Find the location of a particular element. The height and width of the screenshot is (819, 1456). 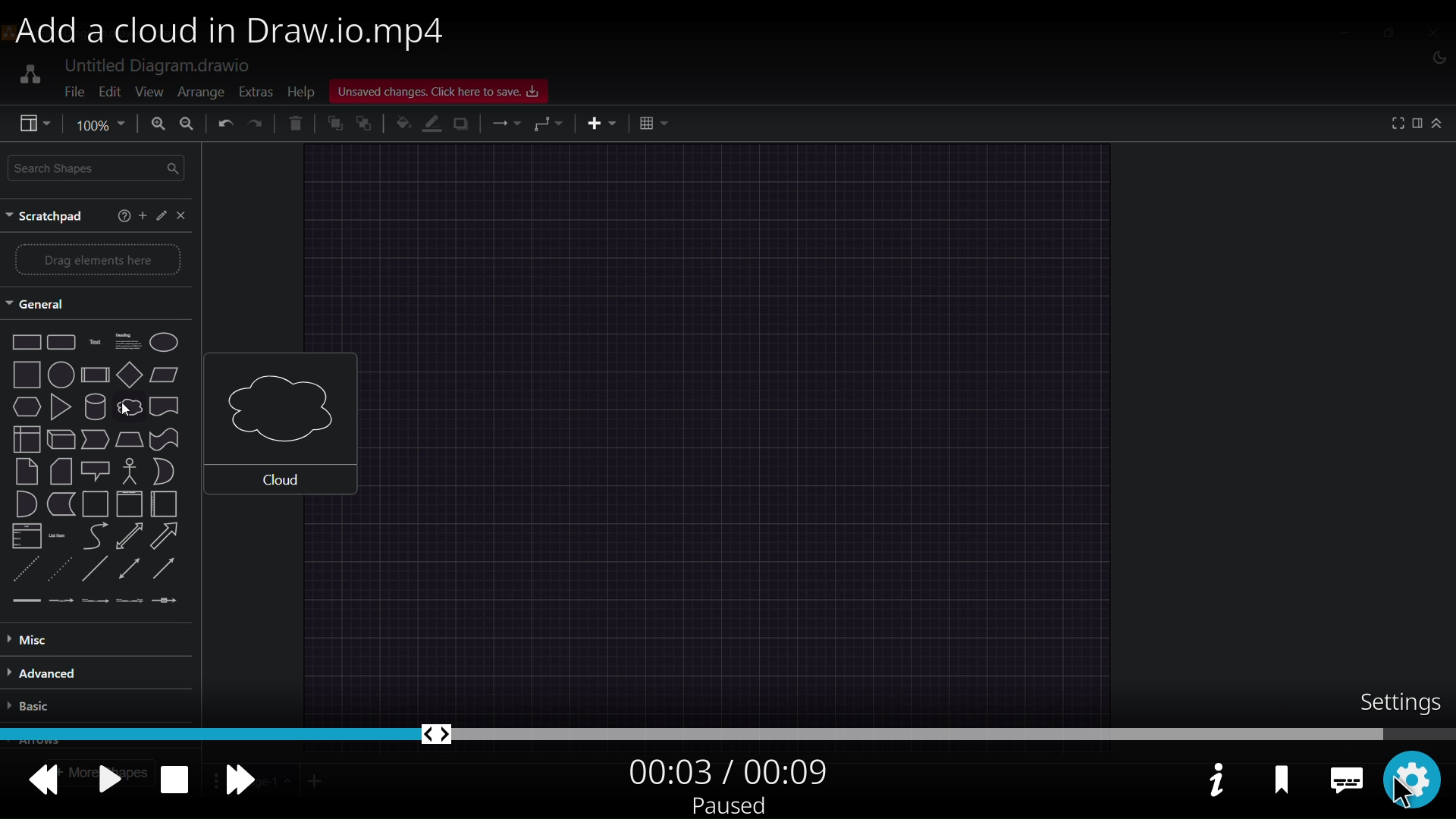

caption is located at coordinates (1345, 773).